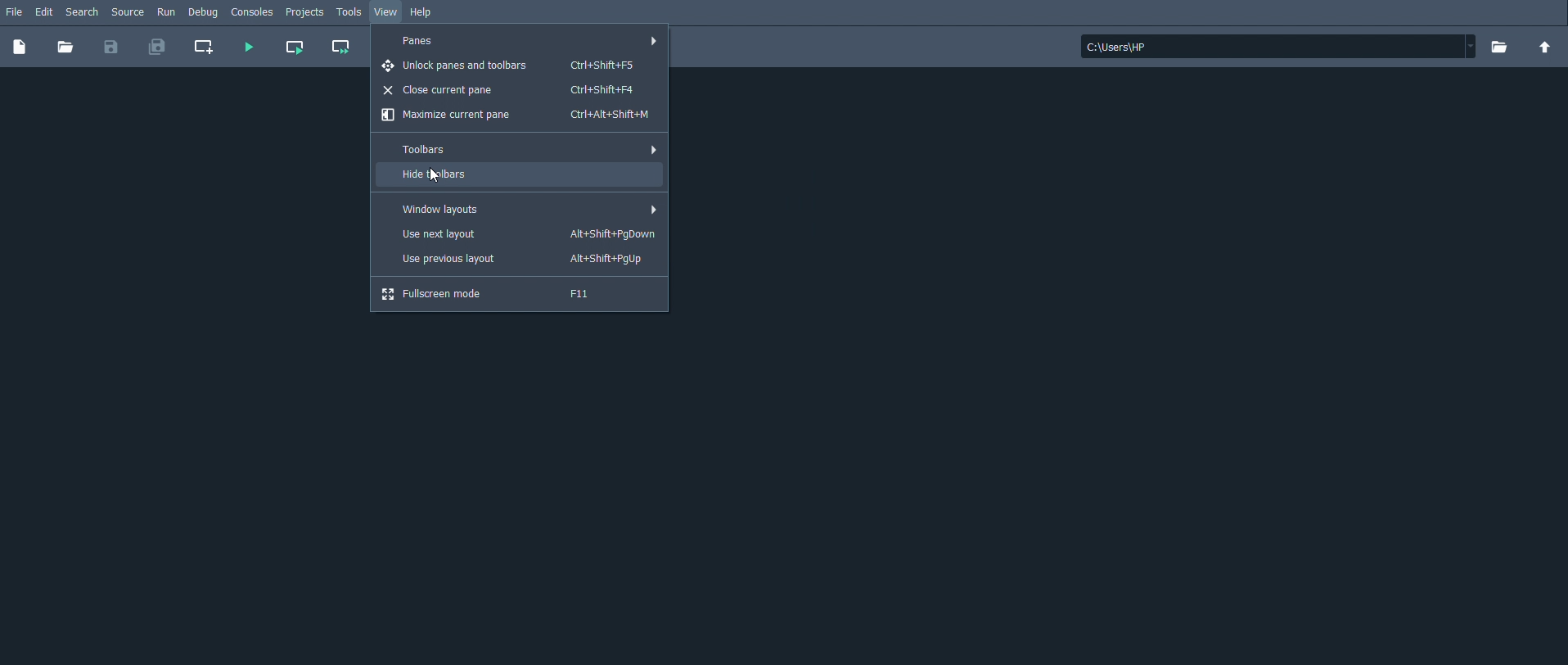 Image resolution: width=1568 pixels, height=665 pixels. I want to click on Change to parent directory, so click(1543, 47).